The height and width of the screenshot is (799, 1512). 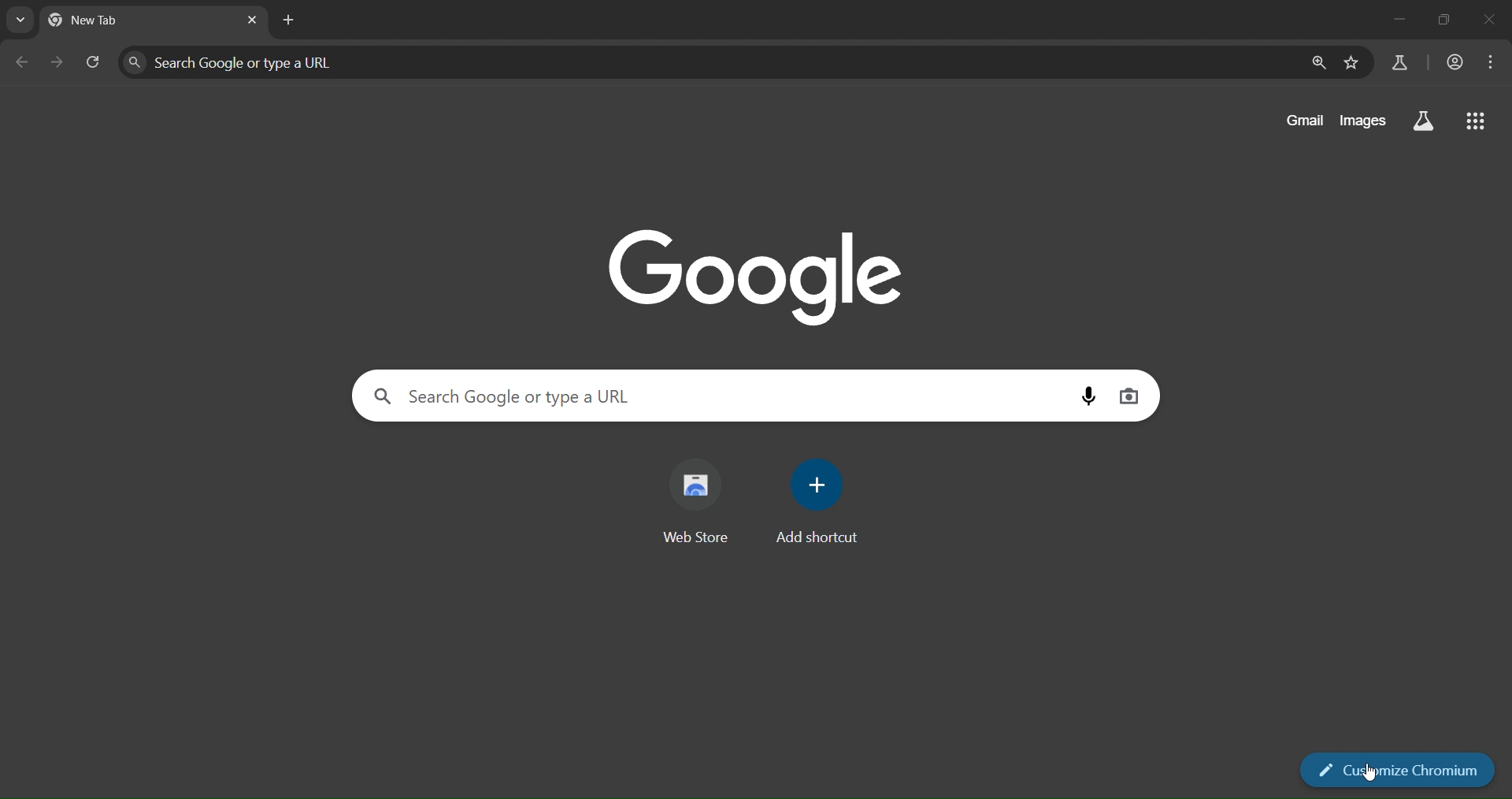 I want to click on search labs, so click(x=1421, y=121).